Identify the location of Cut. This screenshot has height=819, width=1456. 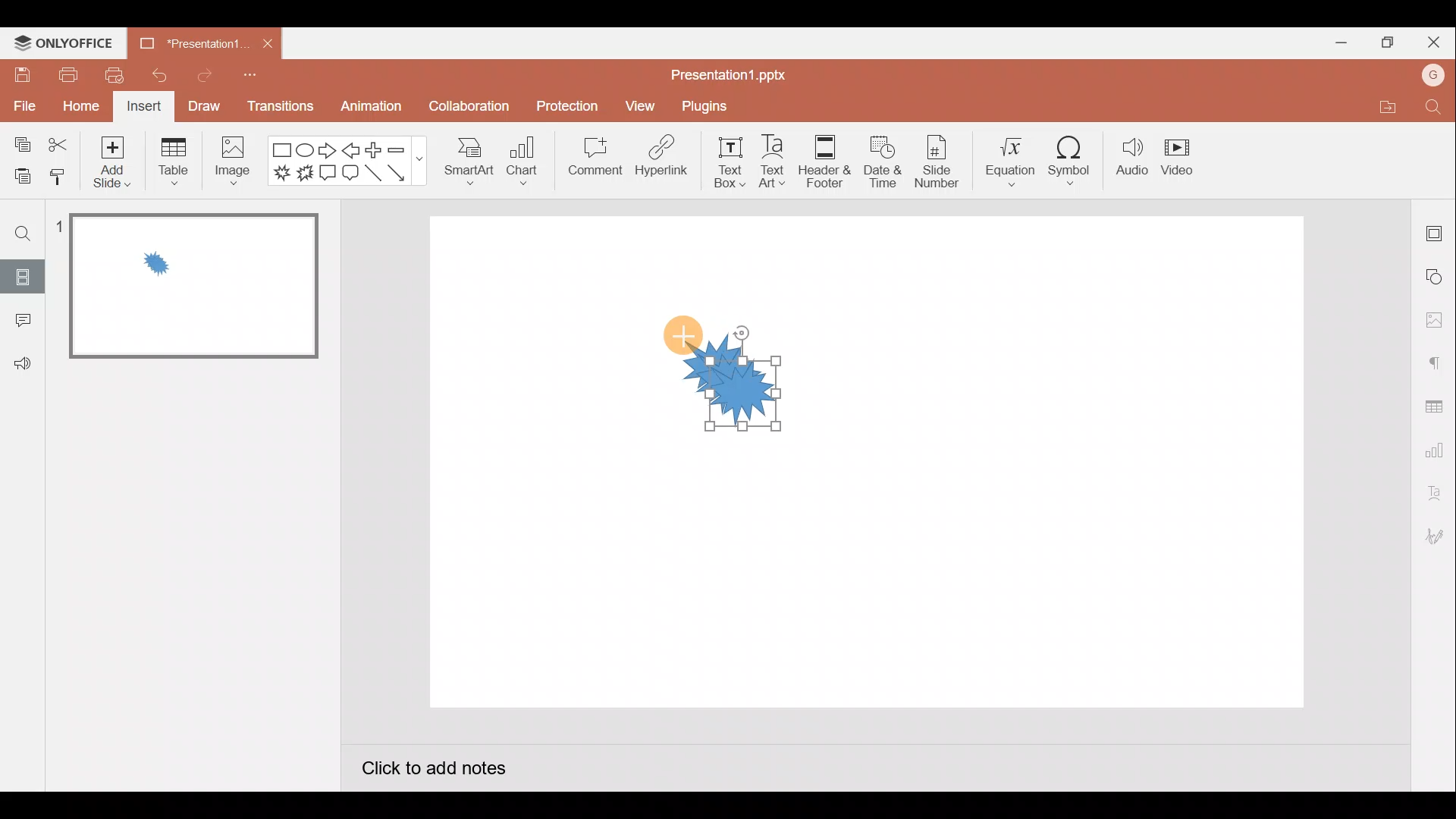
(60, 142).